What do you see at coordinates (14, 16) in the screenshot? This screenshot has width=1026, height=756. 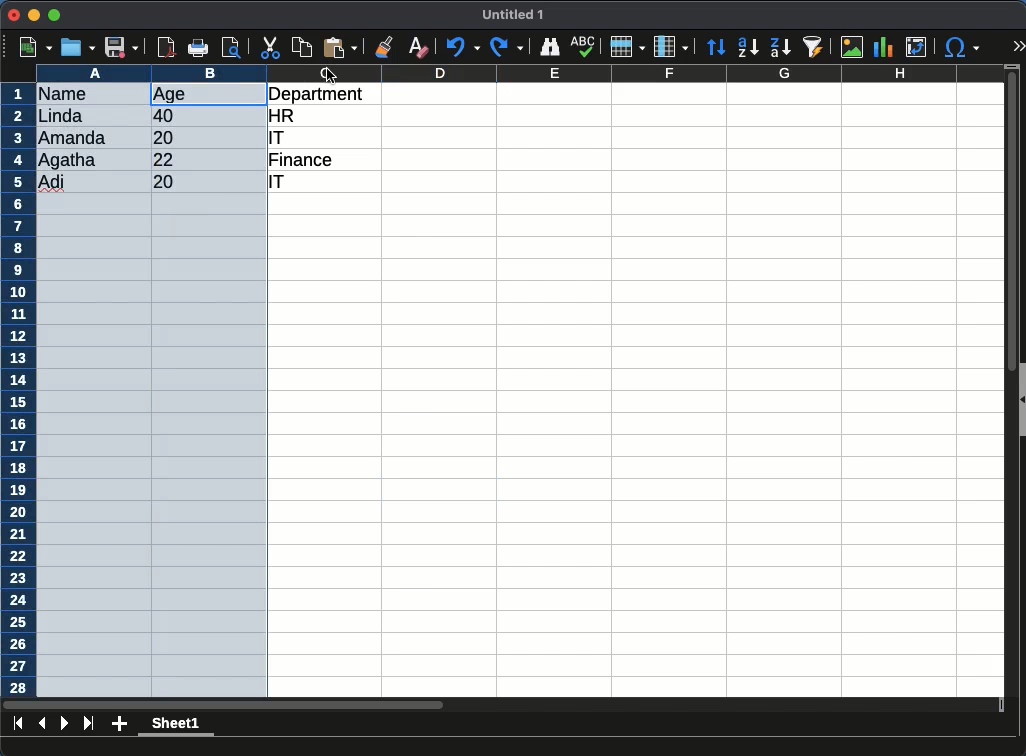 I see `close` at bounding box center [14, 16].